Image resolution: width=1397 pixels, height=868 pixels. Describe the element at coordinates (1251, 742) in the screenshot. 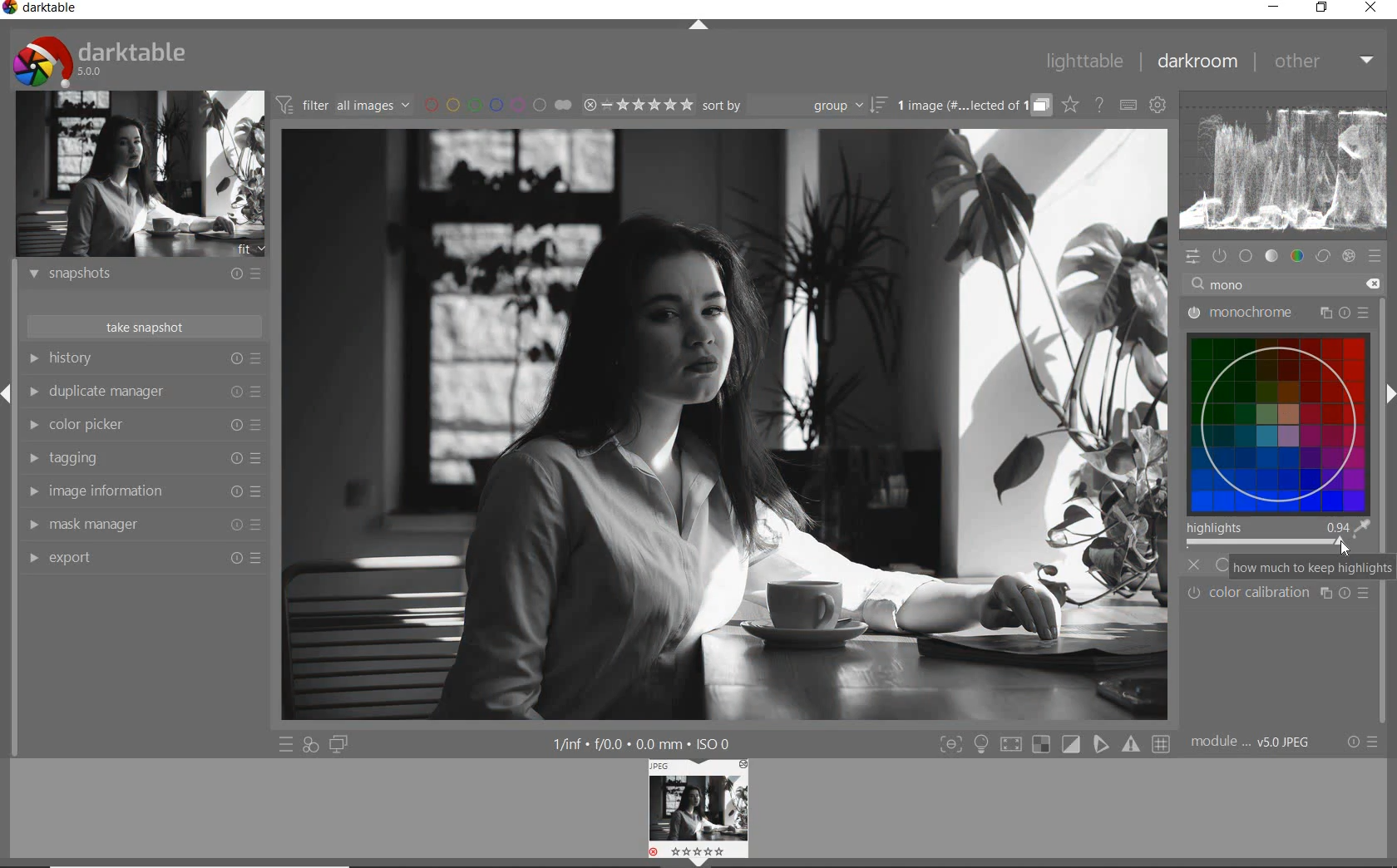

I see `module..v50JPEG` at that location.